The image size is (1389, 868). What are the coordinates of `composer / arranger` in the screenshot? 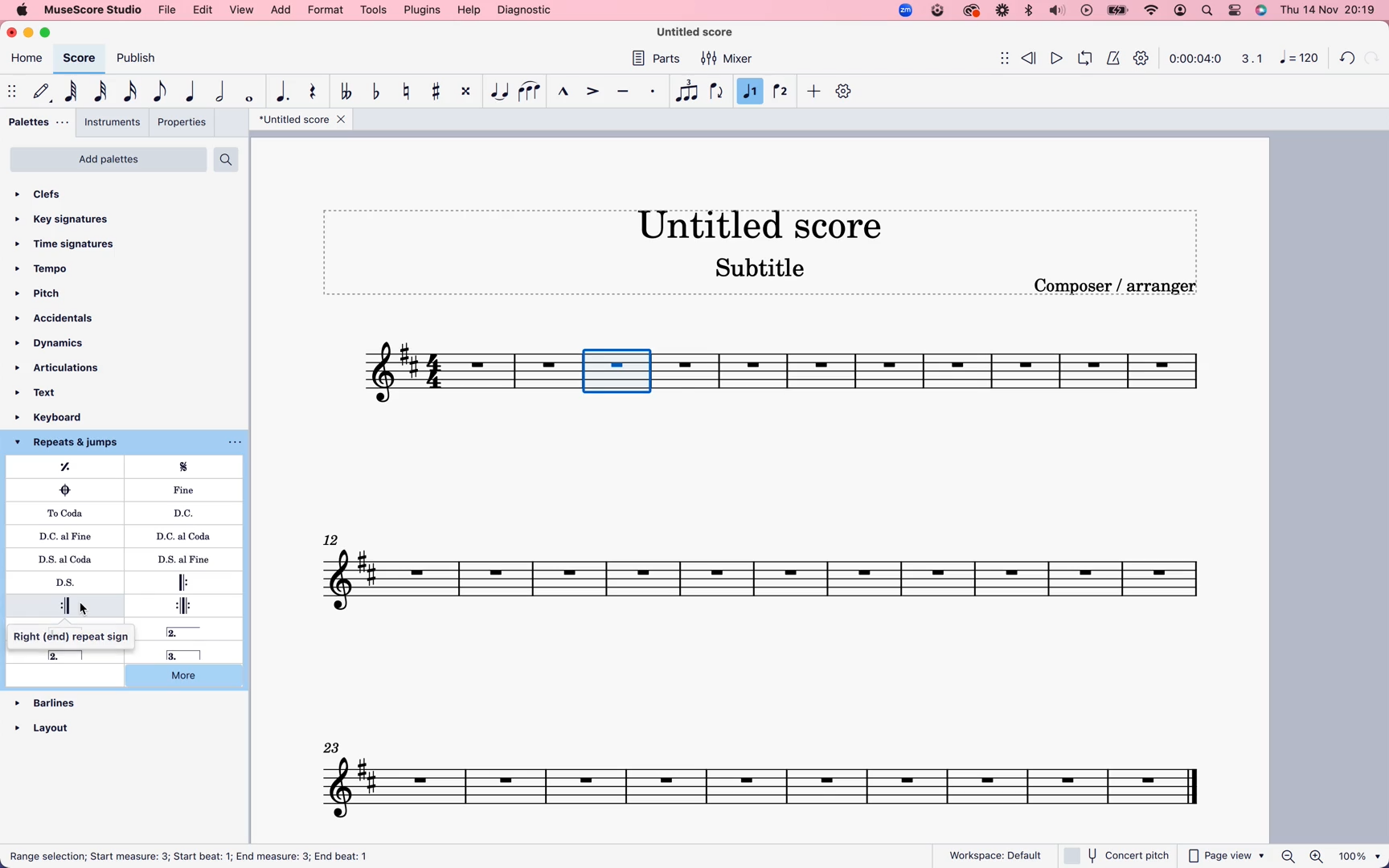 It's located at (1118, 286).